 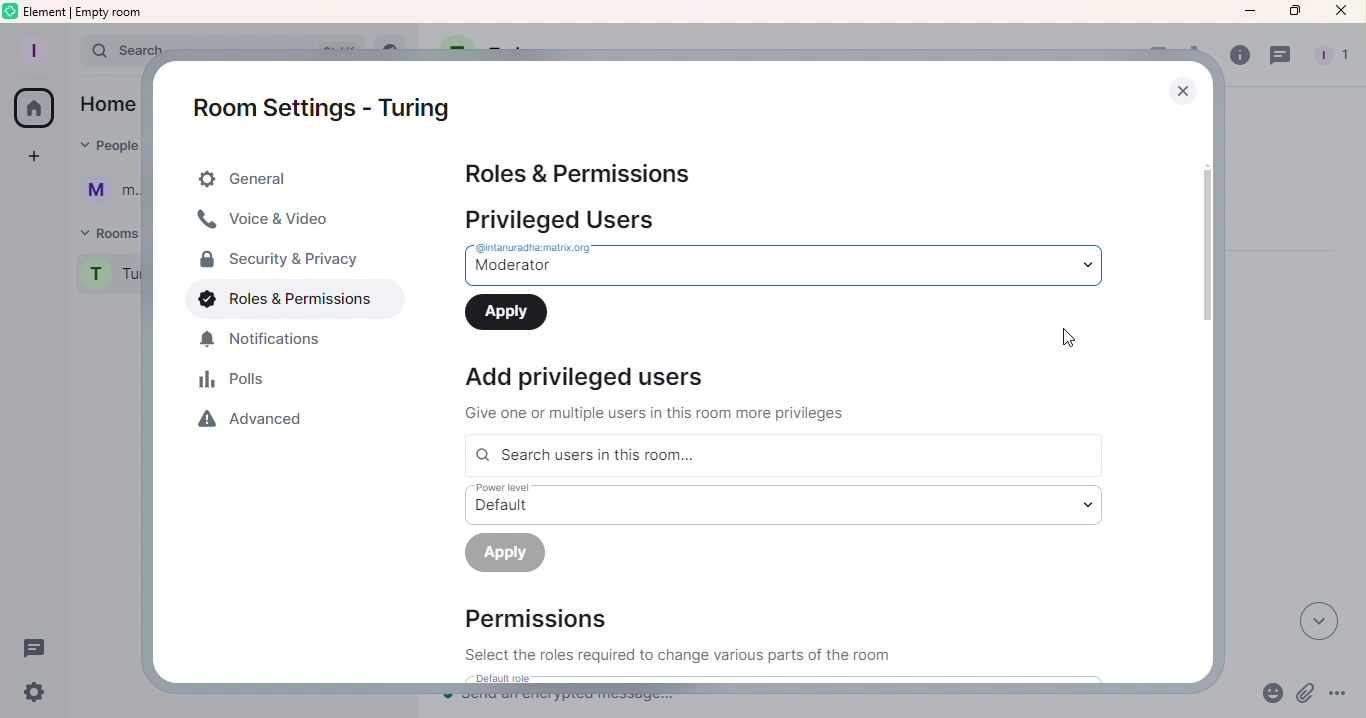 What do you see at coordinates (1181, 87) in the screenshot?
I see `Close` at bounding box center [1181, 87].